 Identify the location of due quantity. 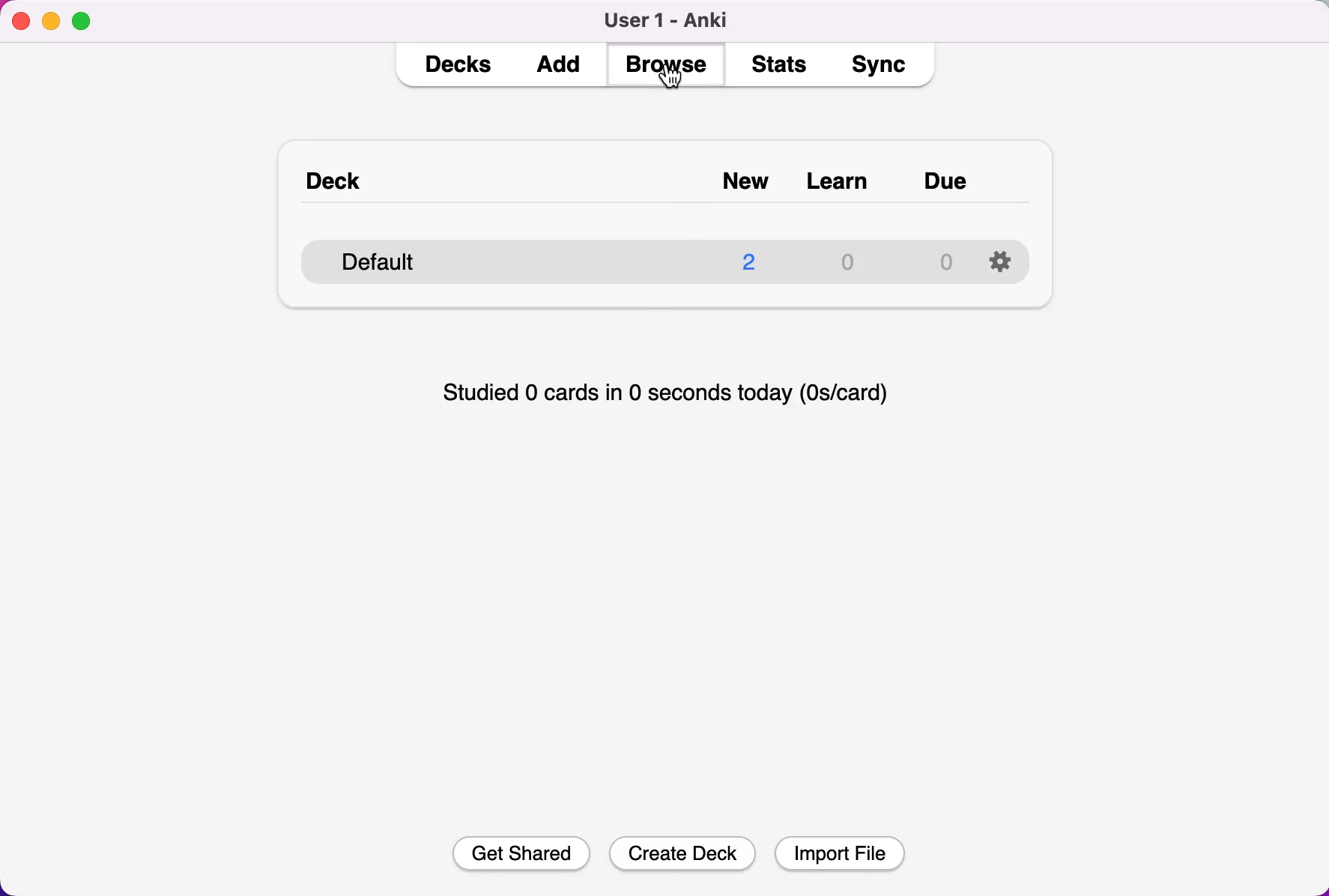
(945, 261).